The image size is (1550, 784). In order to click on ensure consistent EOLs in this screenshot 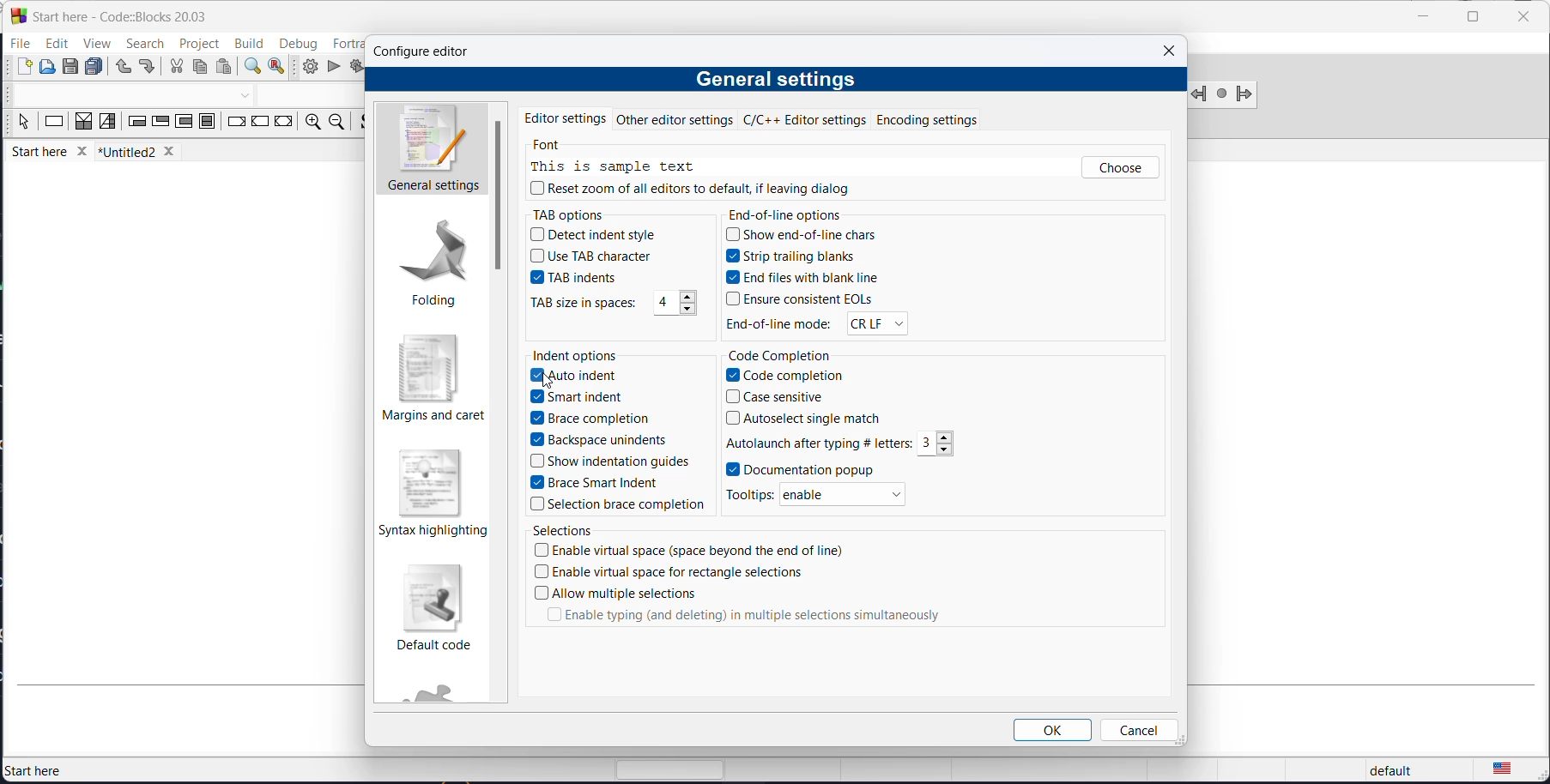, I will do `click(802, 299)`.